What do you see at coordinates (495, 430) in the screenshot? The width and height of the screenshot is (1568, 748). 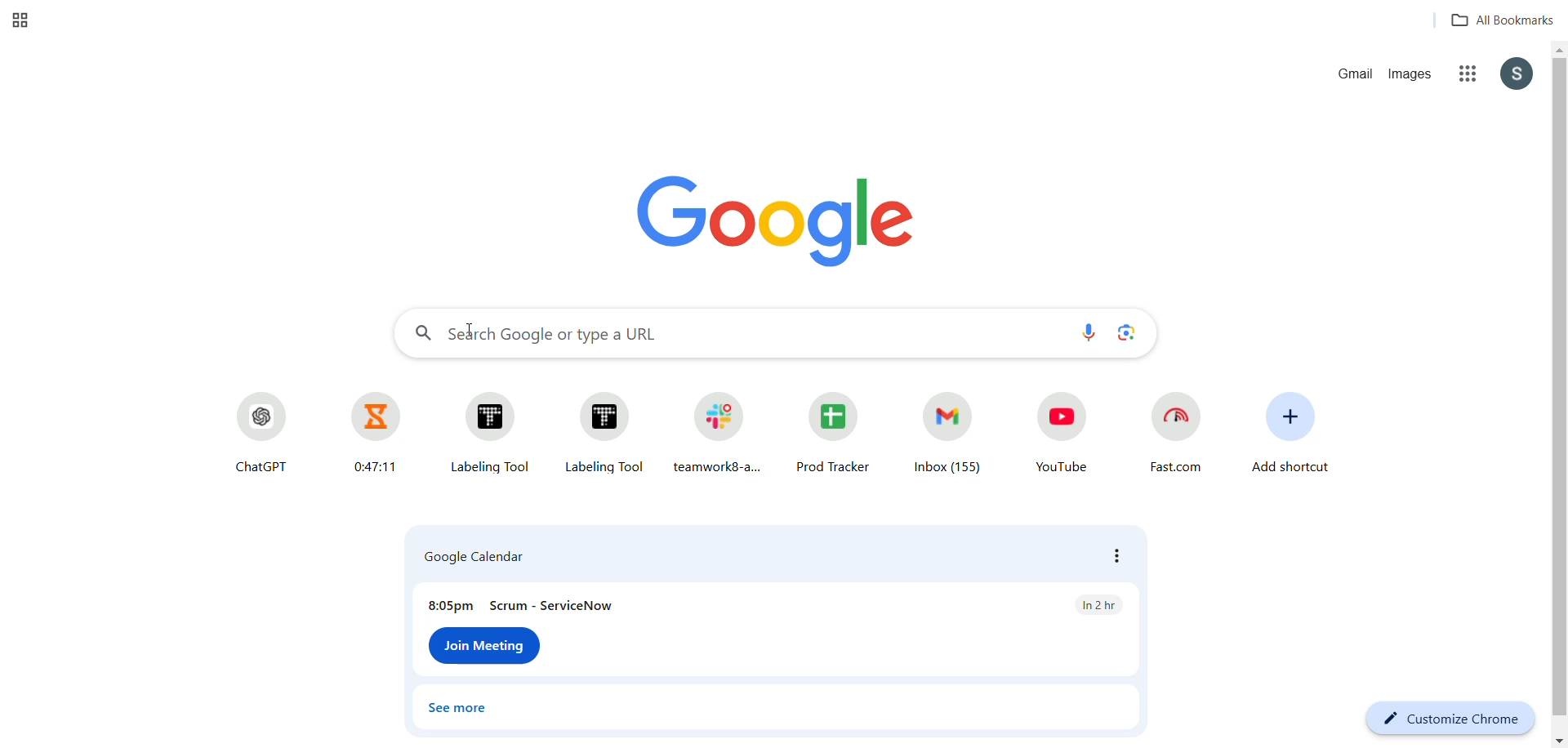 I see `Labeling Tool` at bounding box center [495, 430].